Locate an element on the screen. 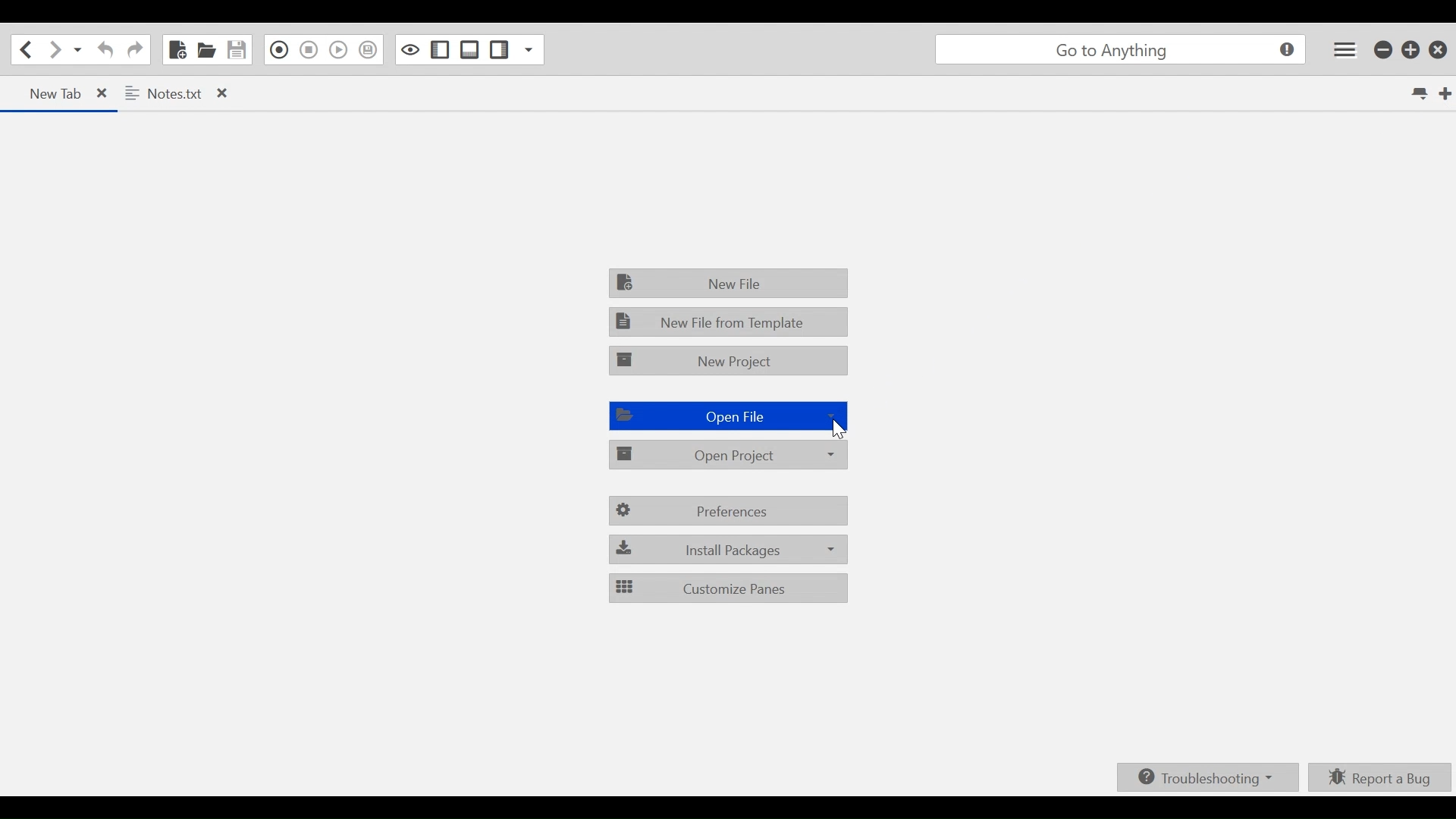 The height and width of the screenshot is (819, 1456). go to anything is located at coordinates (1118, 50).